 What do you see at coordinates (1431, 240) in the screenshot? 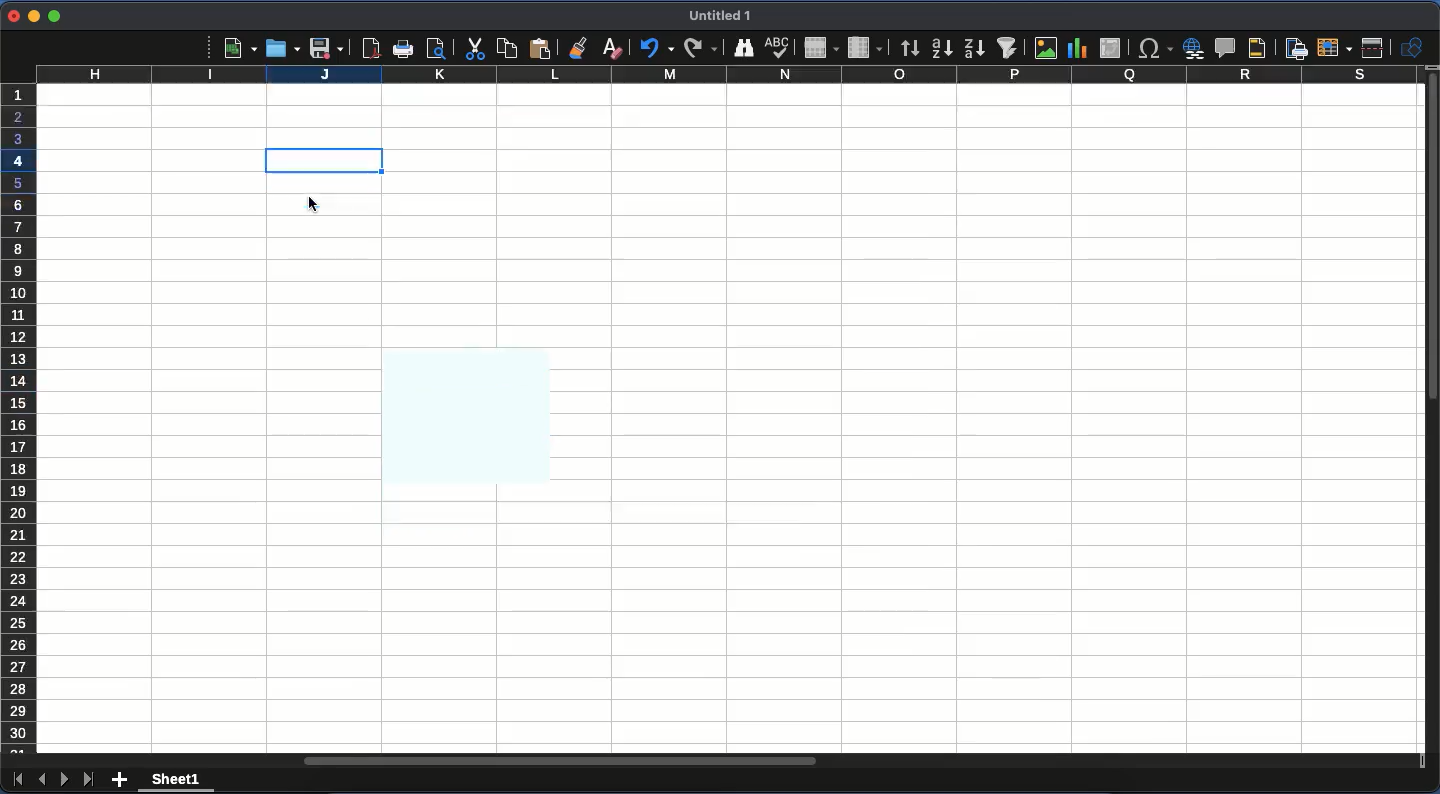
I see `vertical scroll bar` at bounding box center [1431, 240].